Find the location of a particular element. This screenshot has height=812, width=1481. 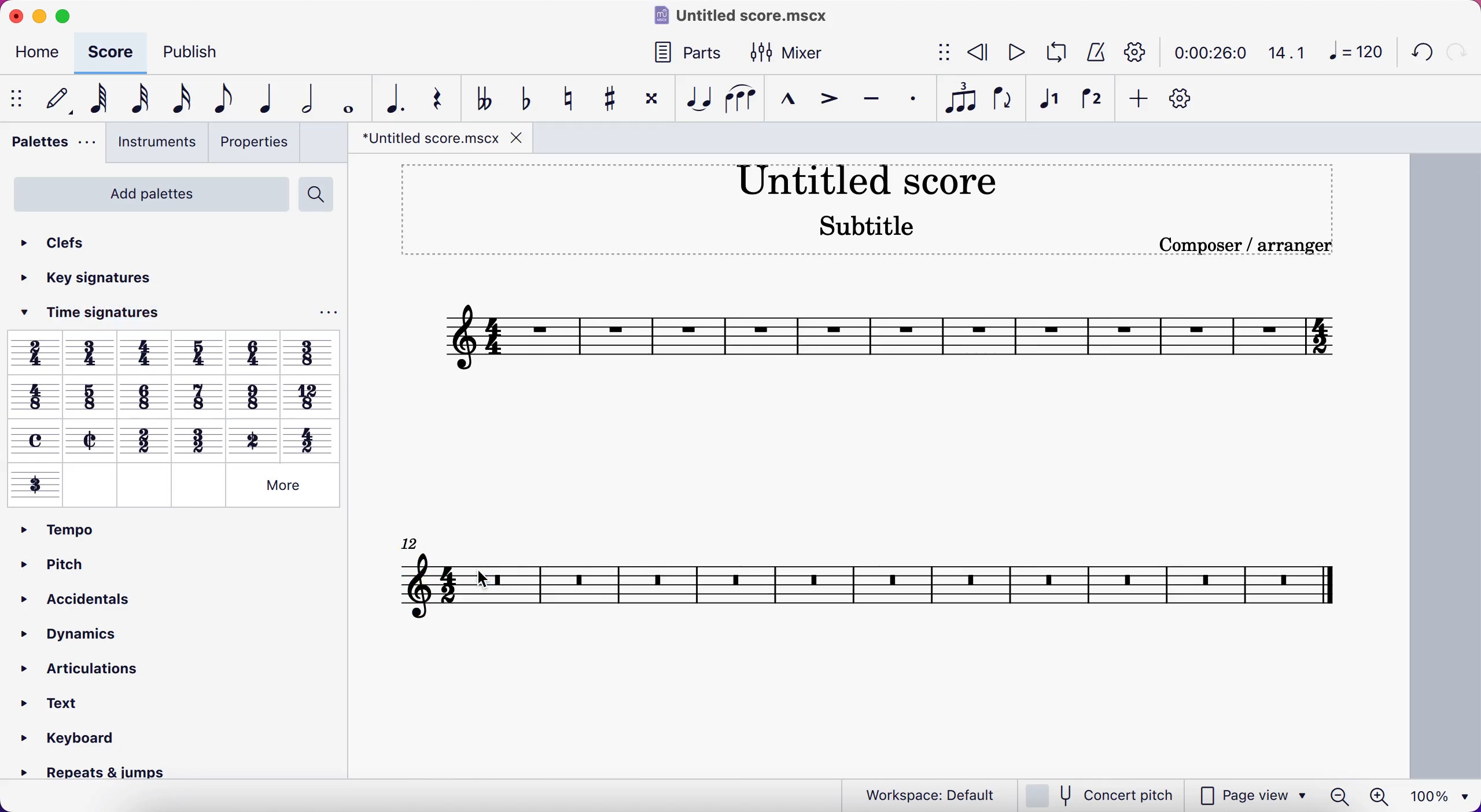

tempo is located at coordinates (54, 529).